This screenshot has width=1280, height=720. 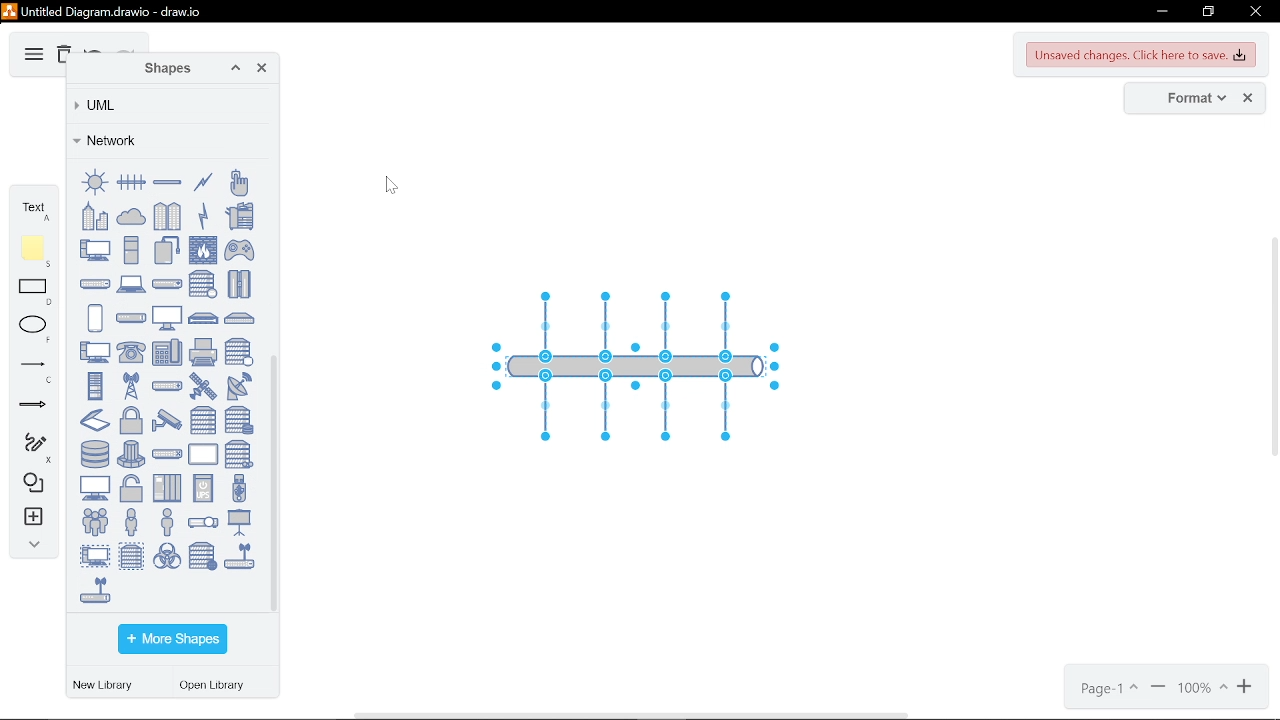 What do you see at coordinates (95, 589) in the screenshot?
I see `wireless modem` at bounding box center [95, 589].